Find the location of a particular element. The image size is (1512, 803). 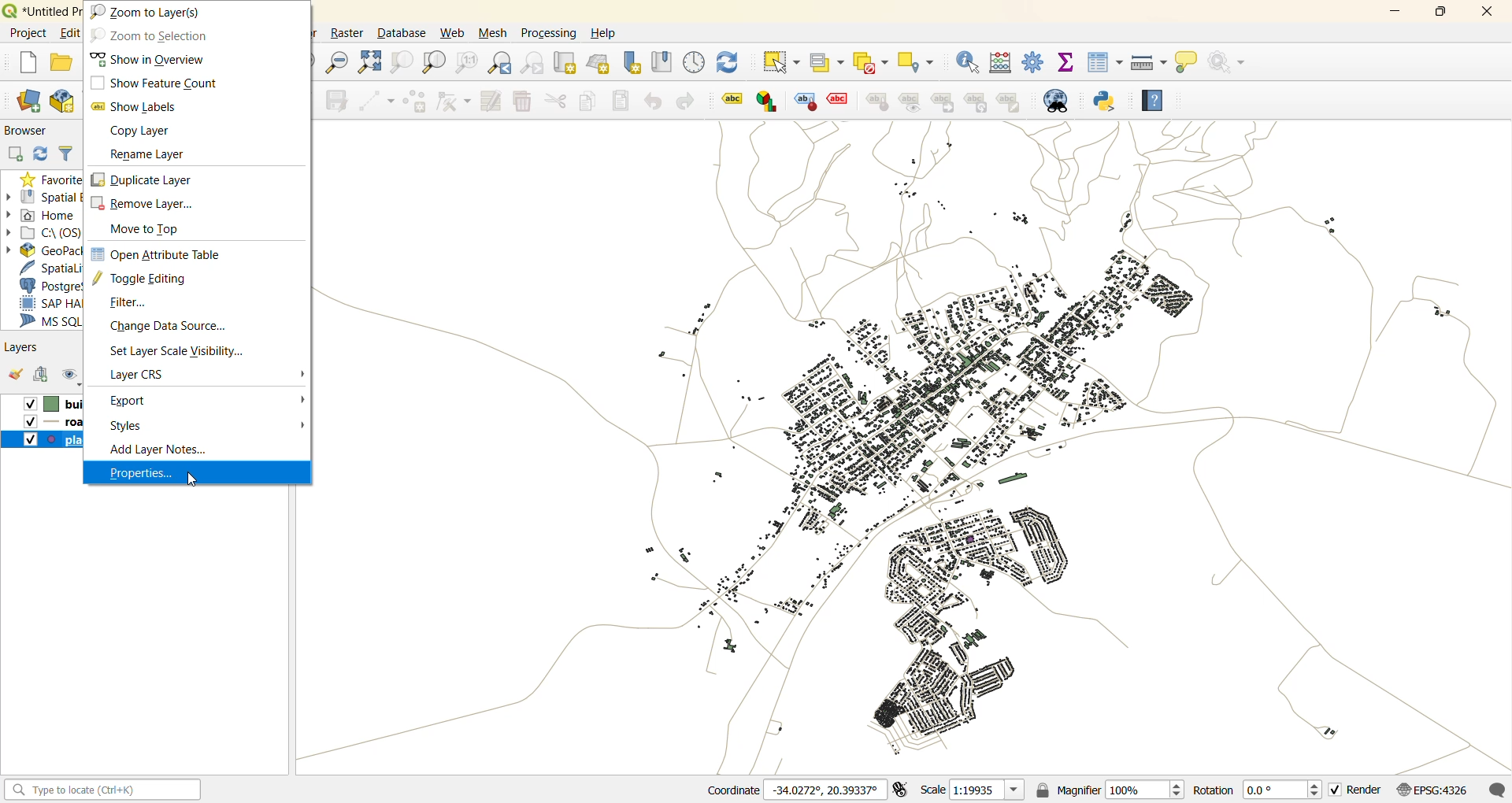

show labels is located at coordinates (136, 107).